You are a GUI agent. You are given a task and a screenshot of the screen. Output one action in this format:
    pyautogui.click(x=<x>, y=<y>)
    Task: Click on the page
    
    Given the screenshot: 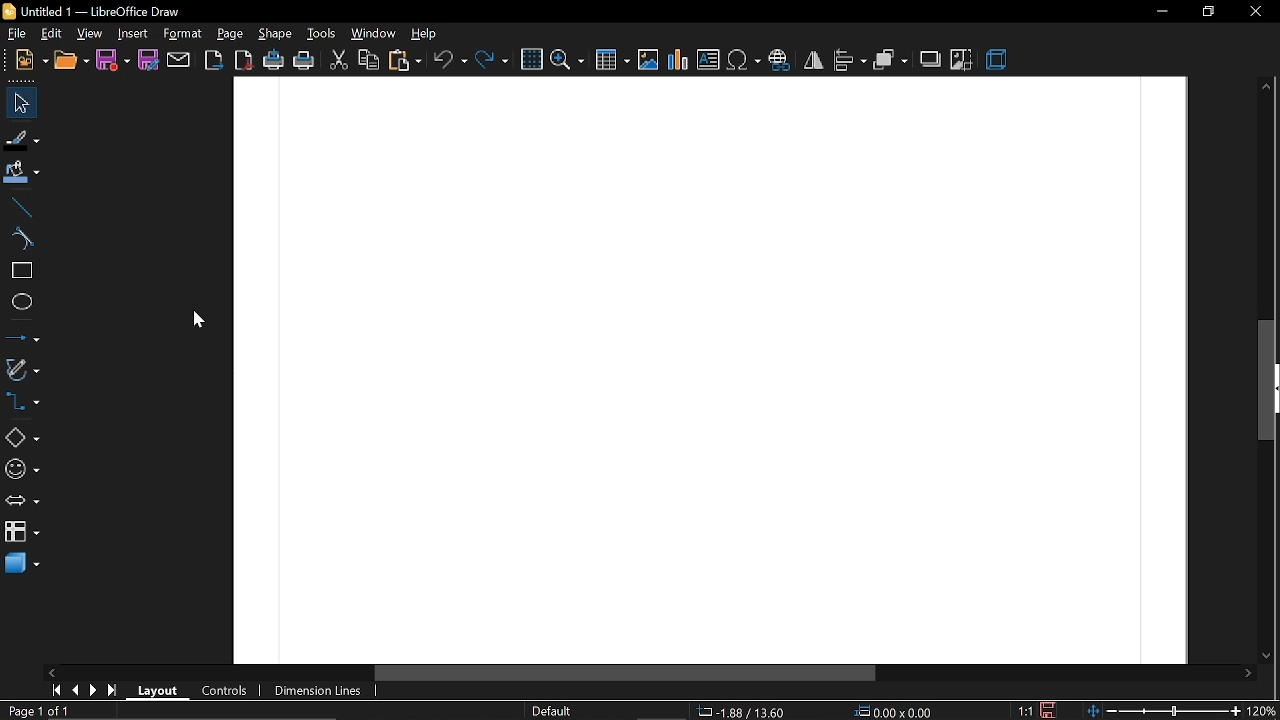 What is the action you would take?
    pyautogui.click(x=231, y=34)
    